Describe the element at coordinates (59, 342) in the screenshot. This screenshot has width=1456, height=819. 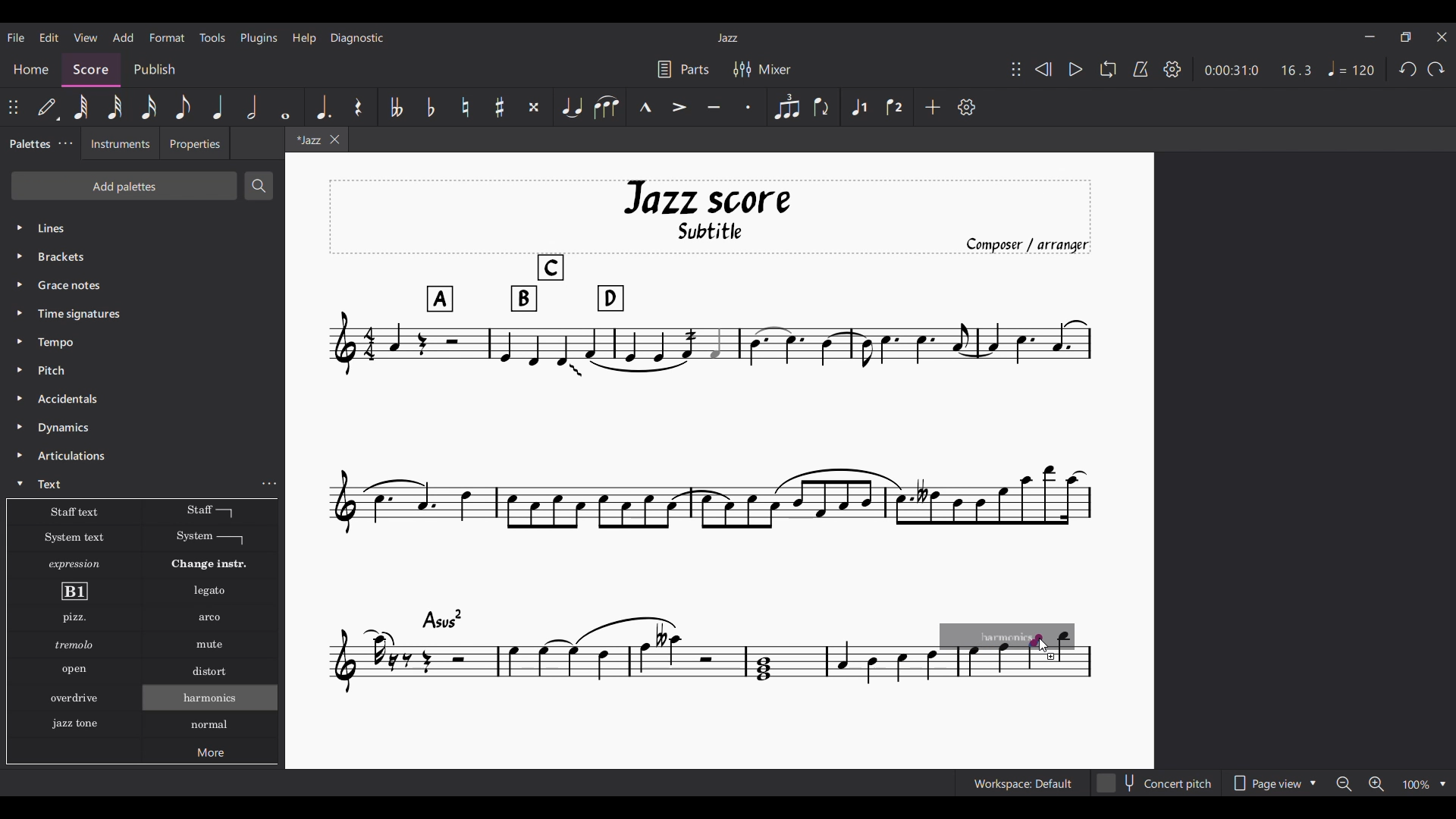
I see `tempo` at that location.